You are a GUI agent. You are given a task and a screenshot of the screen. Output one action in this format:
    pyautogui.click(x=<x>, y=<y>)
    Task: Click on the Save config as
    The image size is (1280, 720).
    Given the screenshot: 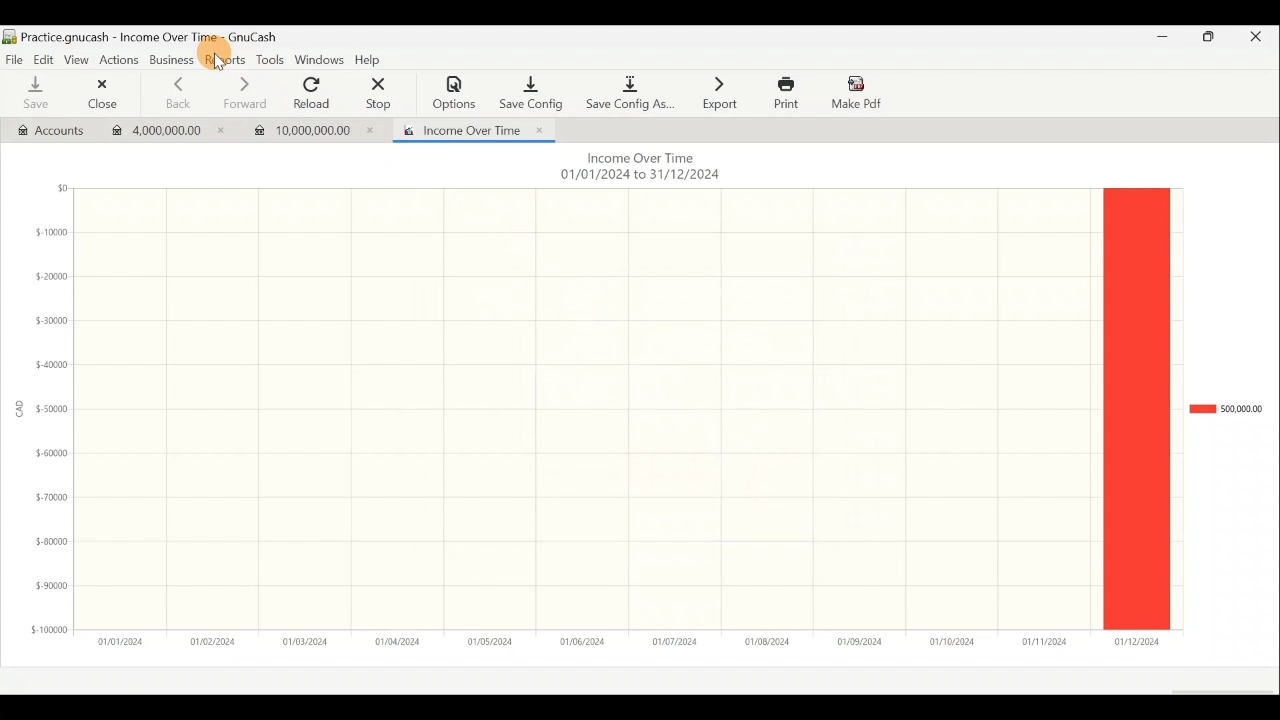 What is the action you would take?
    pyautogui.click(x=630, y=90)
    